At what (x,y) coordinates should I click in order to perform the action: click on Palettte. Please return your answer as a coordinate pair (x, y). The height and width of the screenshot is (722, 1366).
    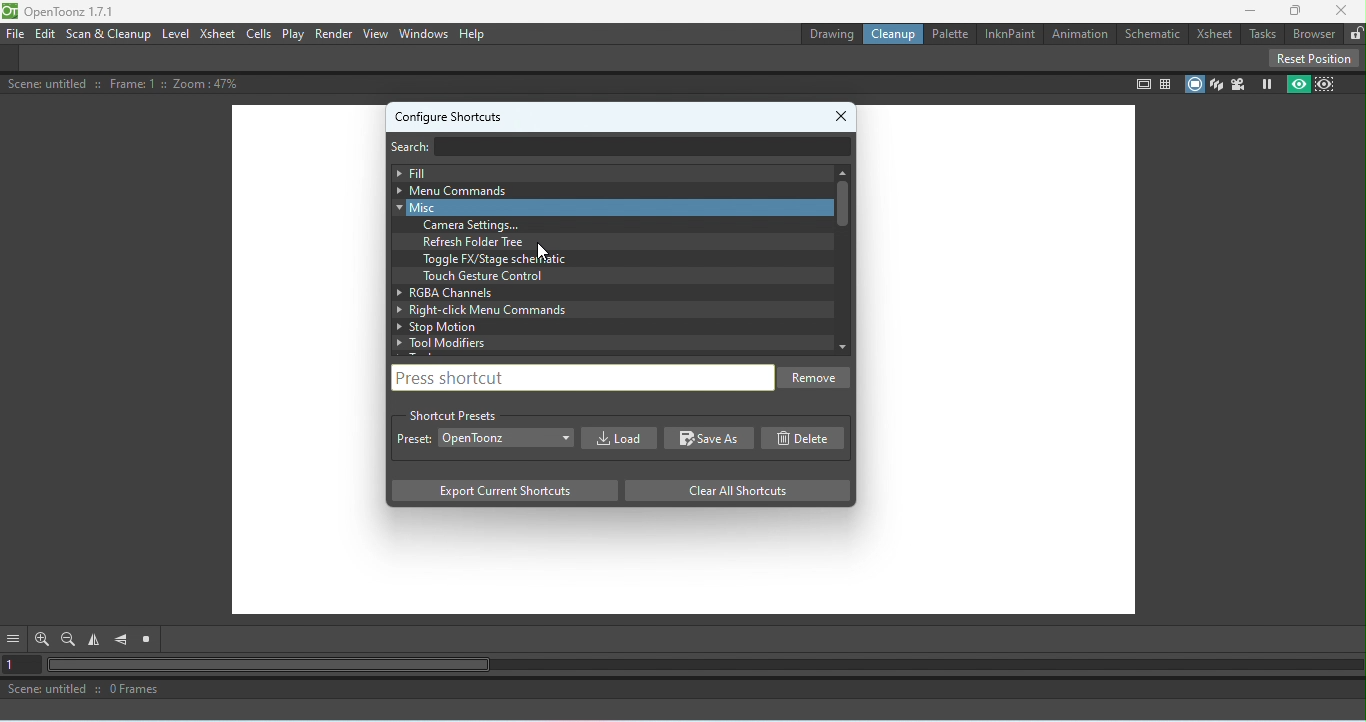
    Looking at the image, I should click on (949, 34).